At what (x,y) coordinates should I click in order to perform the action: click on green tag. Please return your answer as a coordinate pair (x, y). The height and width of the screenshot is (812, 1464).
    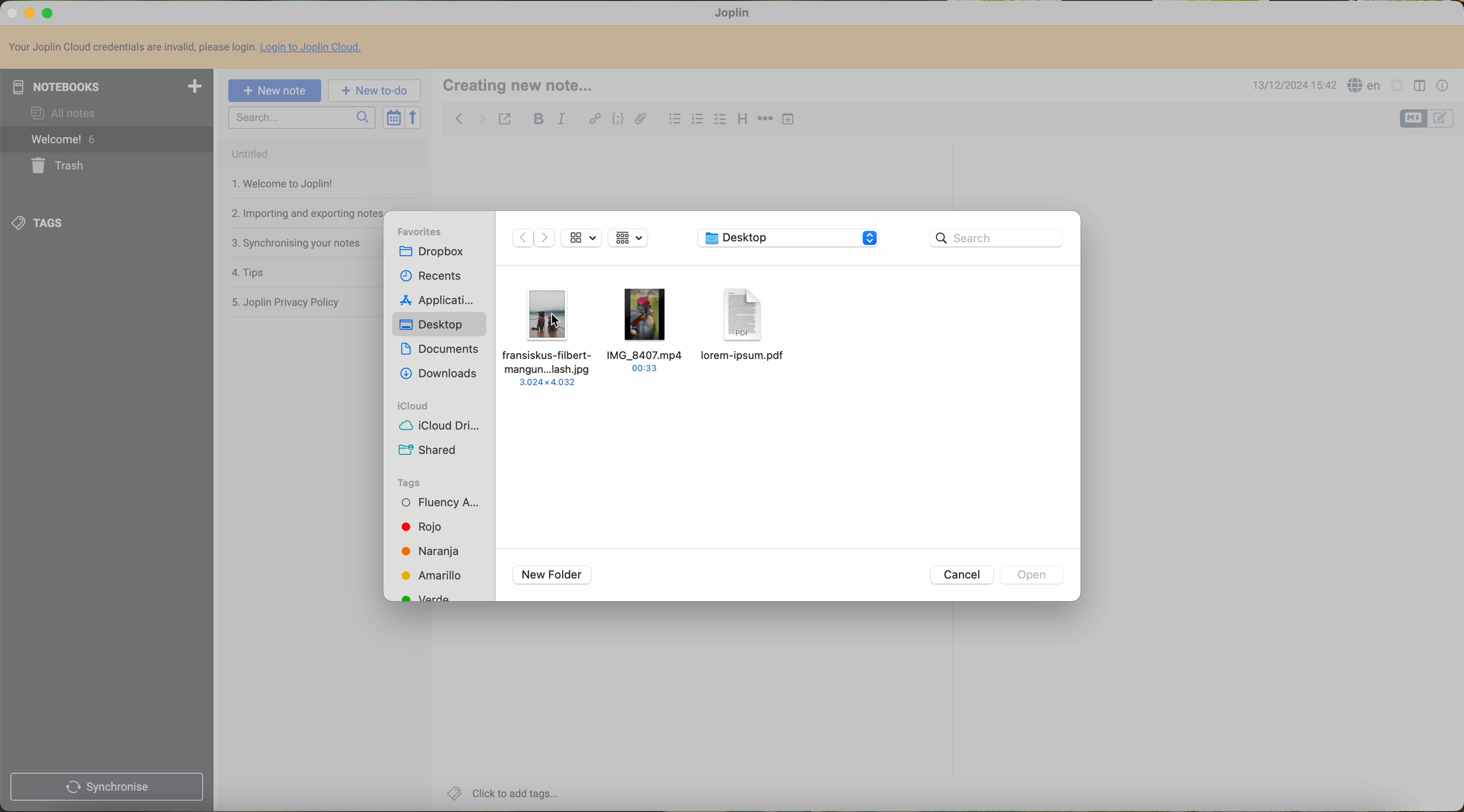
    Looking at the image, I should click on (435, 596).